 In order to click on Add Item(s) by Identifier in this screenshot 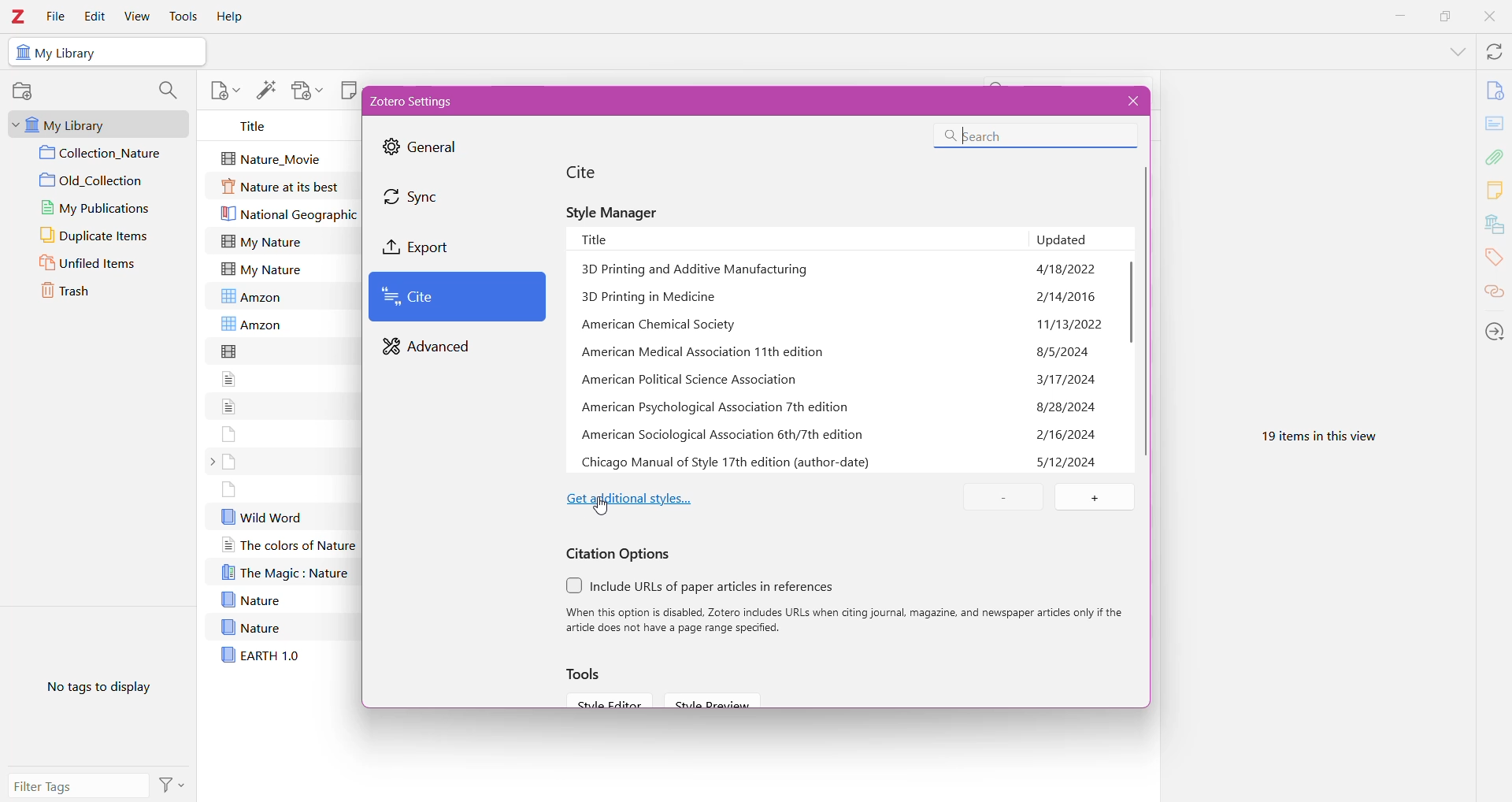, I will do `click(266, 89)`.